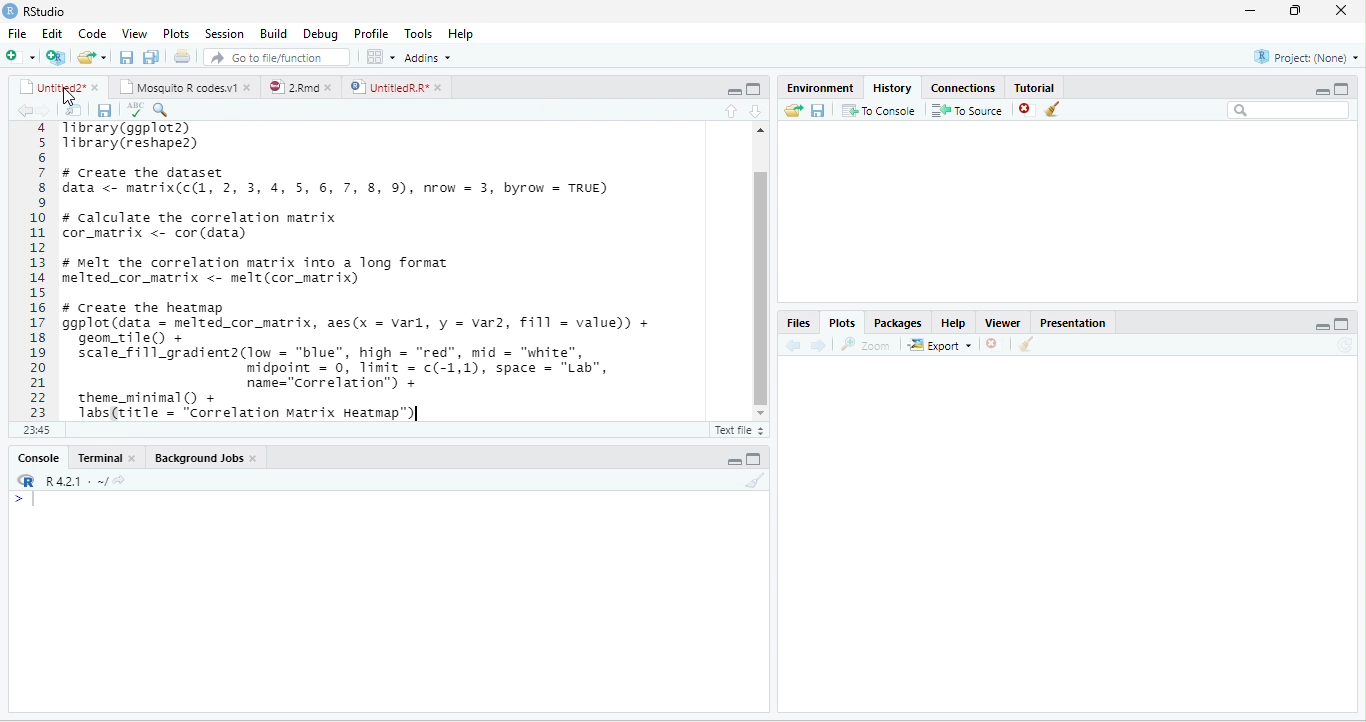 The width and height of the screenshot is (1366, 722). I want to click on export, so click(940, 347).